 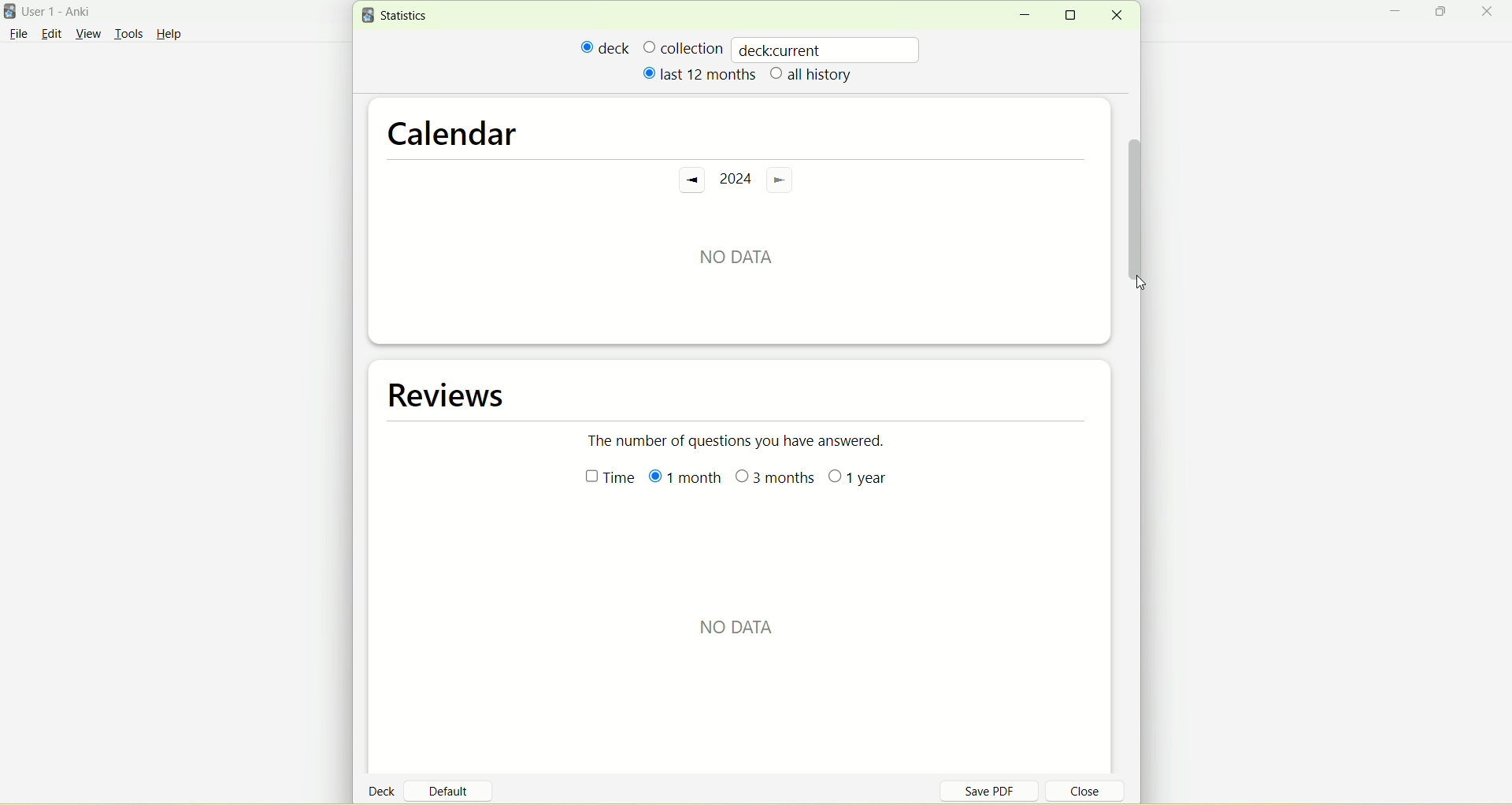 What do you see at coordinates (698, 73) in the screenshot?
I see `last 12 months` at bounding box center [698, 73].